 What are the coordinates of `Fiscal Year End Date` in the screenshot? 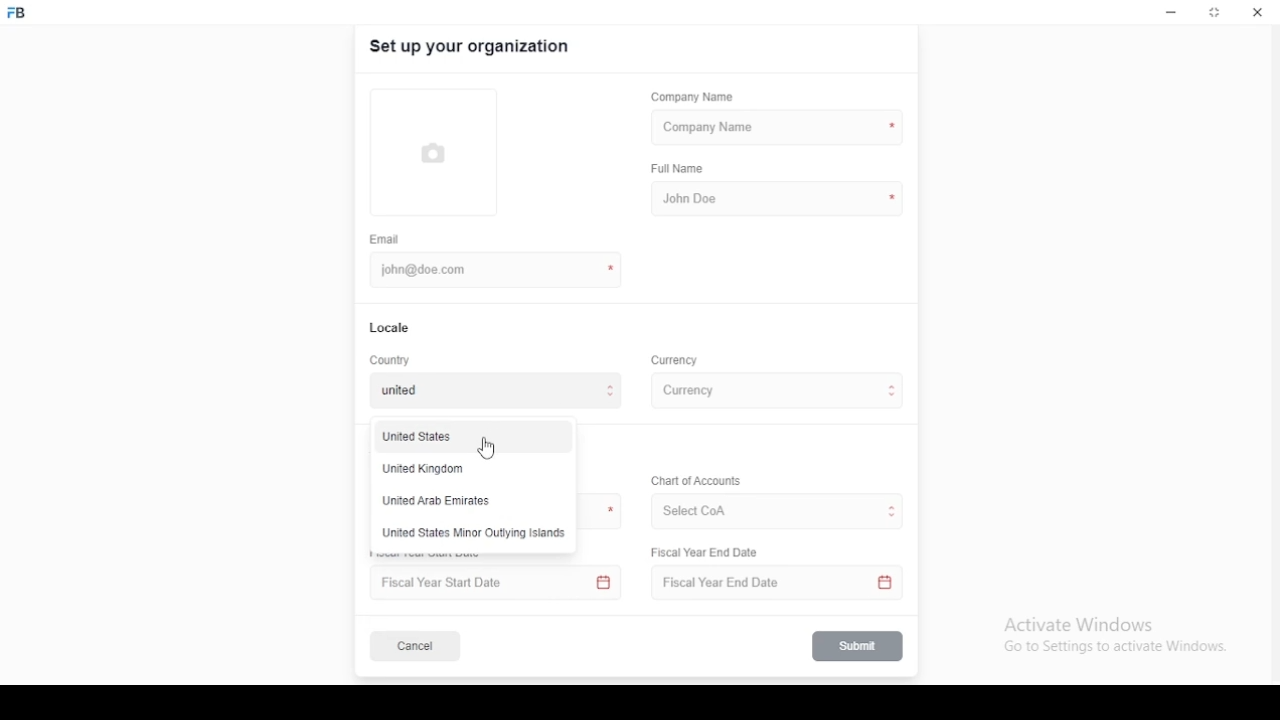 It's located at (771, 583).